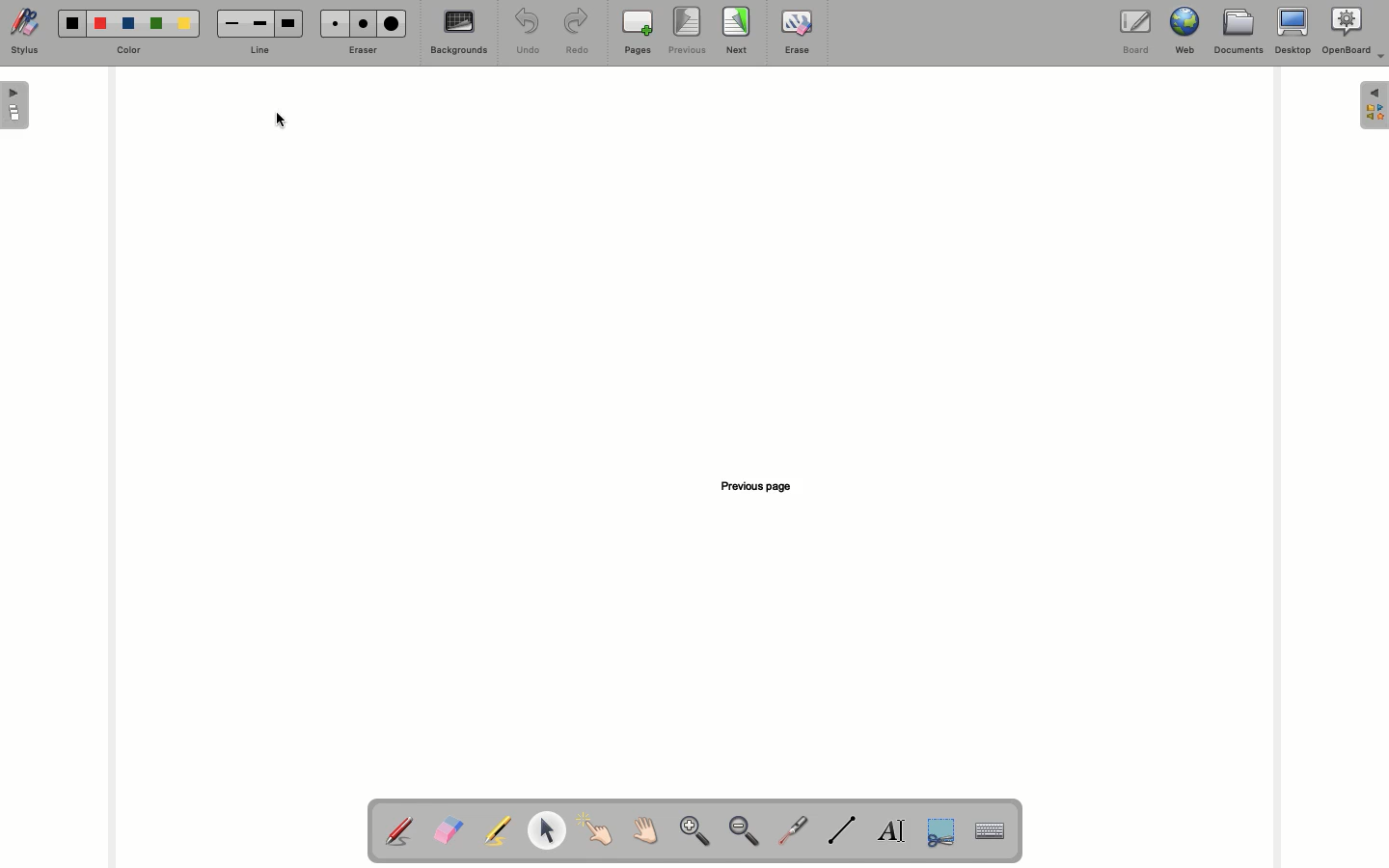  I want to click on Color 2, so click(100, 24).